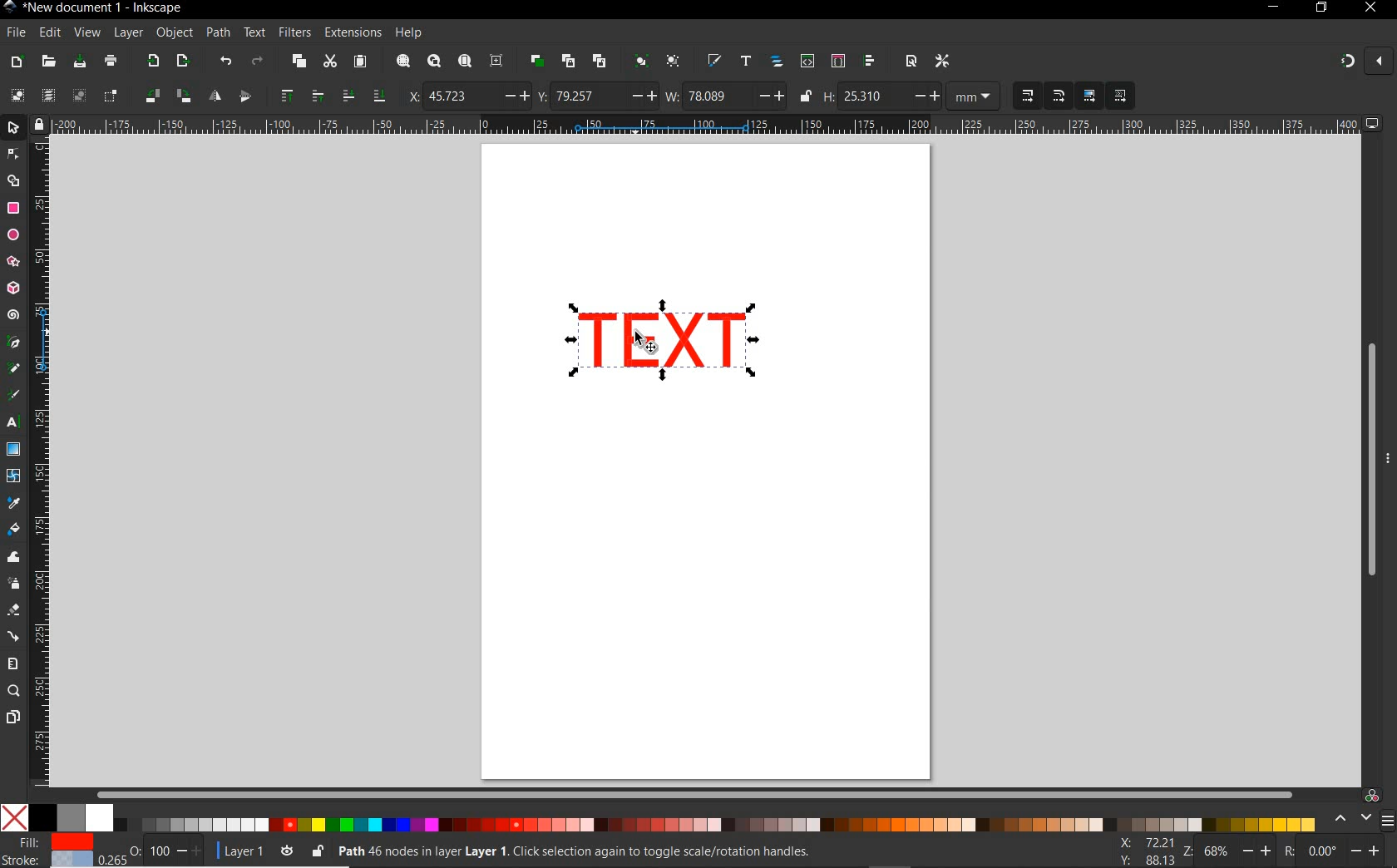  I want to click on SELECTOR TOOL, so click(658, 350).